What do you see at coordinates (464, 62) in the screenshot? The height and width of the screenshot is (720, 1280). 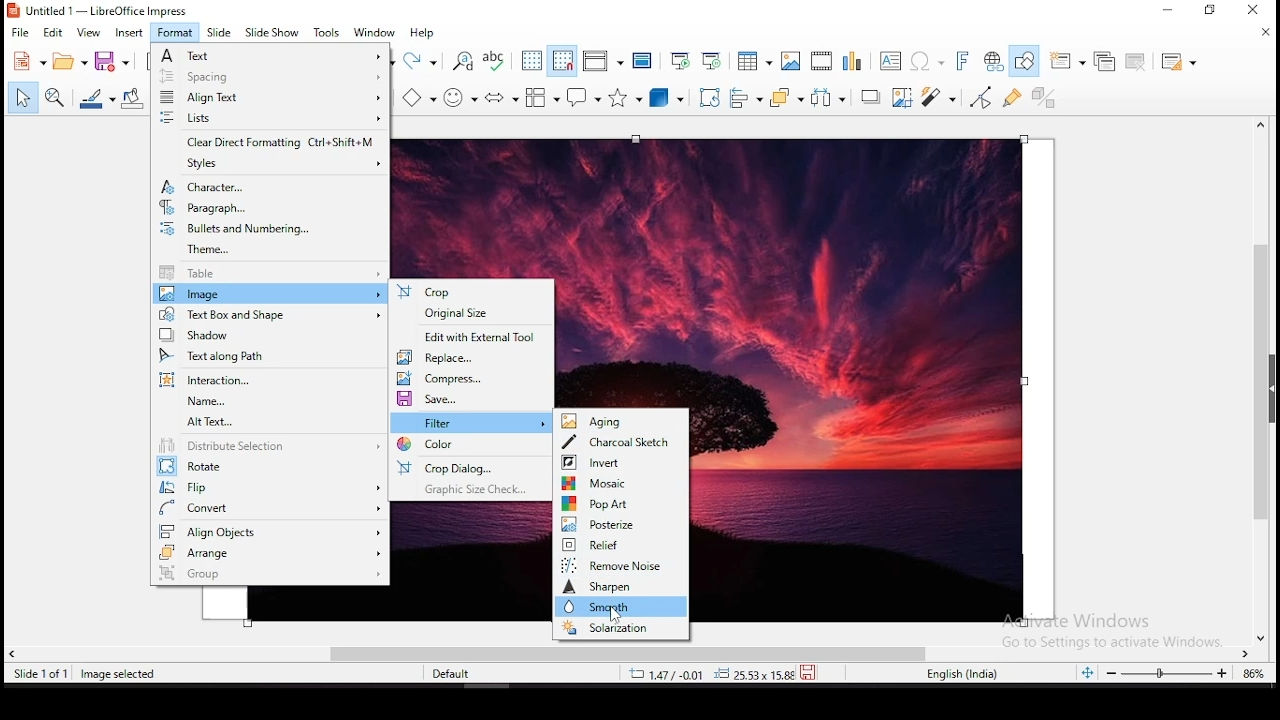 I see `find and replace` at bounding box center [464, 62].